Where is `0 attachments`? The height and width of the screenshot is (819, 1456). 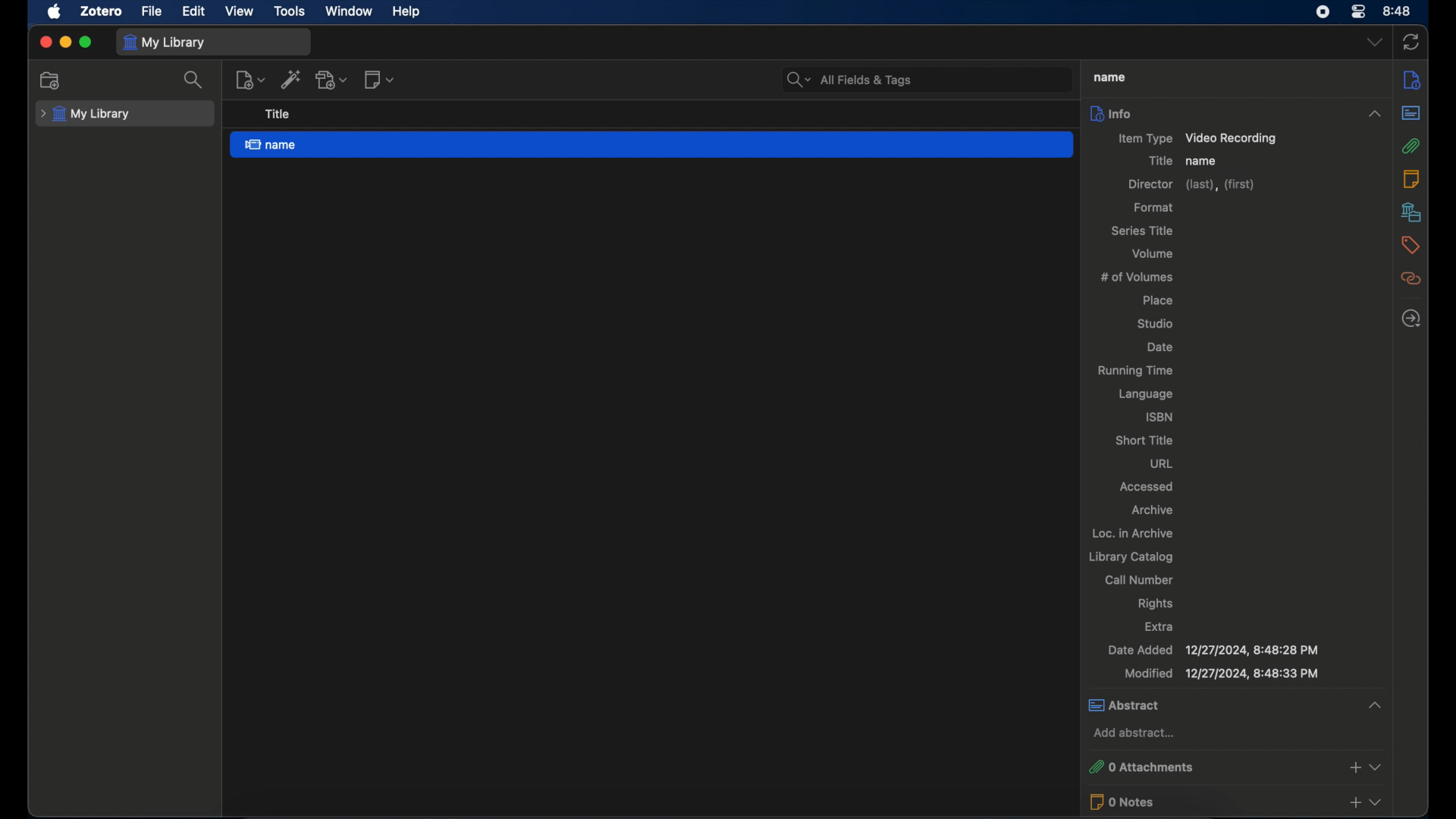 0 attachments is located at coordinates (1212, 765).